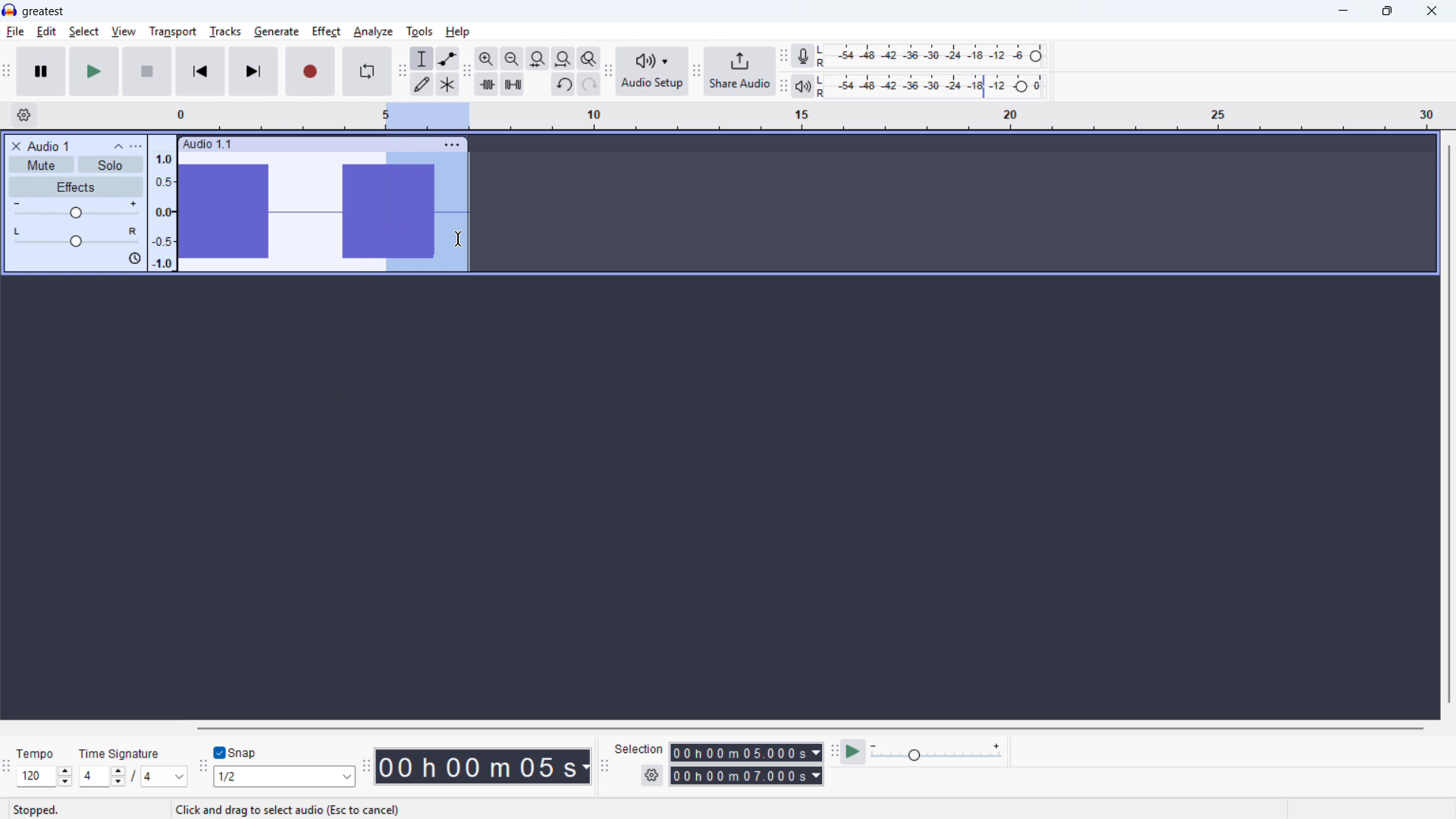 The height and width of the screenshot is (819, 1456). Describe the element at coordinates (277, 33) in the screenshot. I see `generate` at that location.